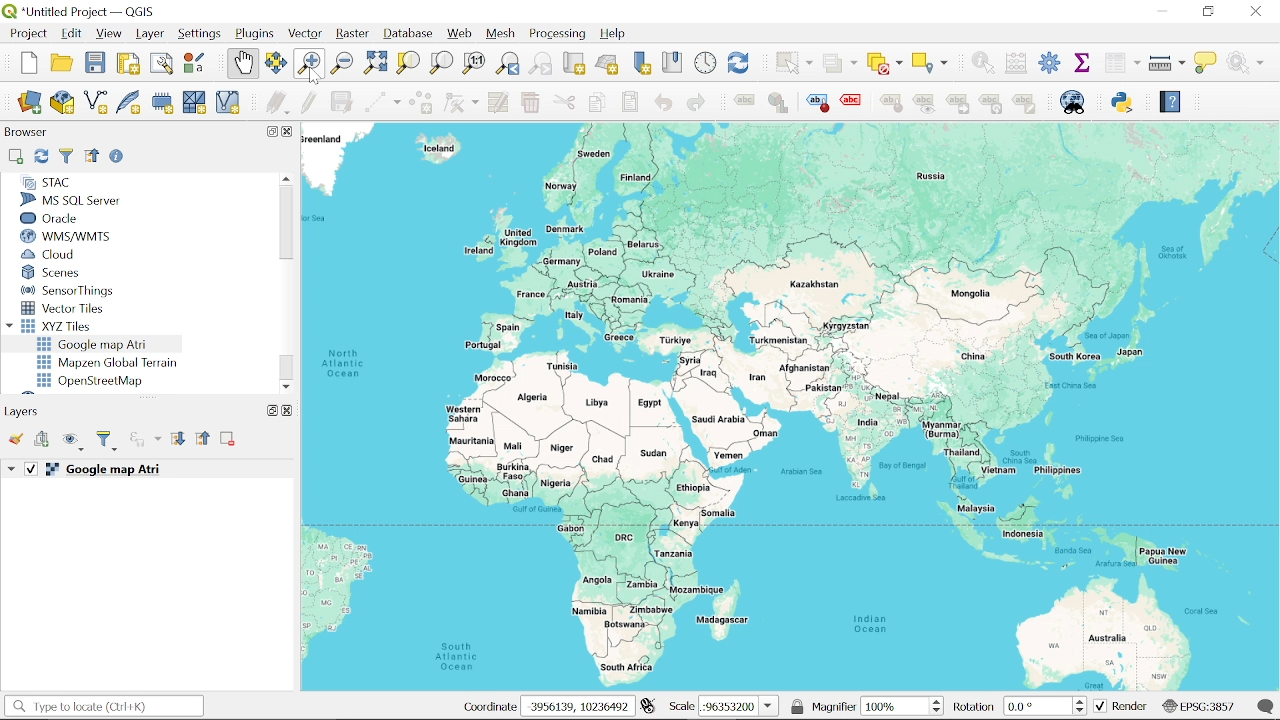 The width and height of the screenshot is (1280, 720). Describe the element at coordinates (642, 64) in the screenshot. I see `New special bookmark` at that location.